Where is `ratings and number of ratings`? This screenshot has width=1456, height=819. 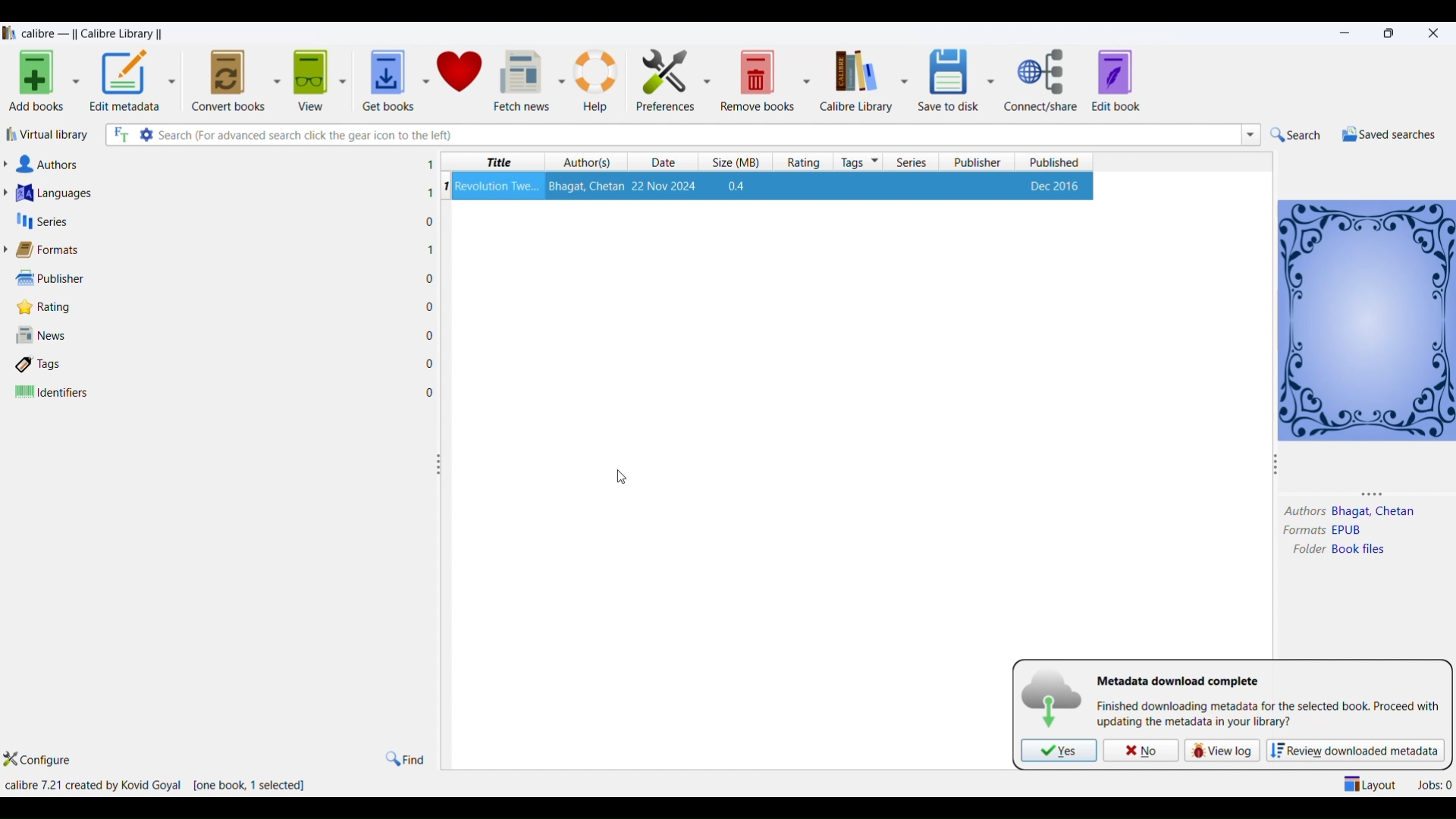 ratings and number of ratings is located at coordinates (49, 306).